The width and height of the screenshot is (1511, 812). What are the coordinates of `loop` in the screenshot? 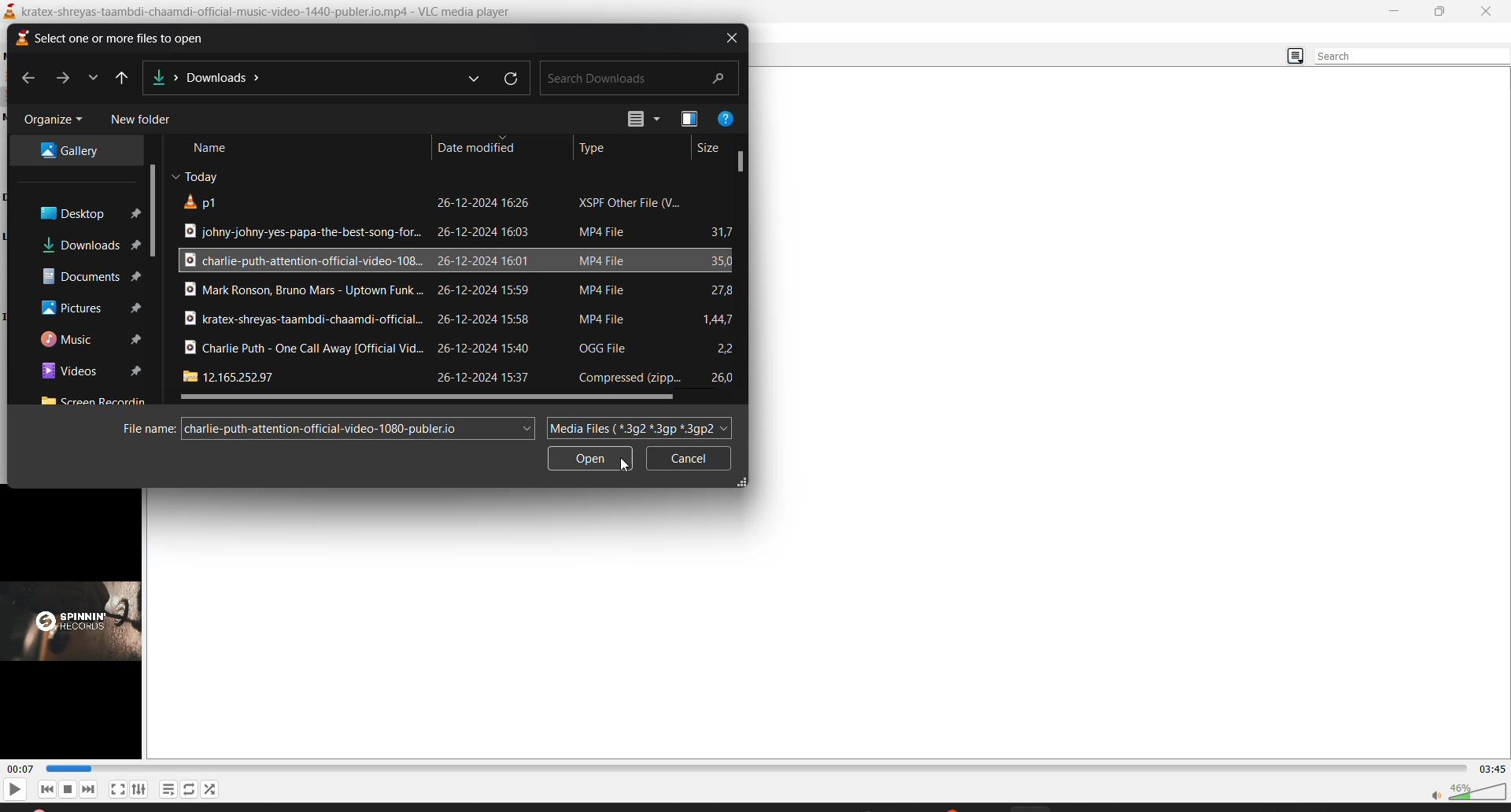 It's located at (187, 788).